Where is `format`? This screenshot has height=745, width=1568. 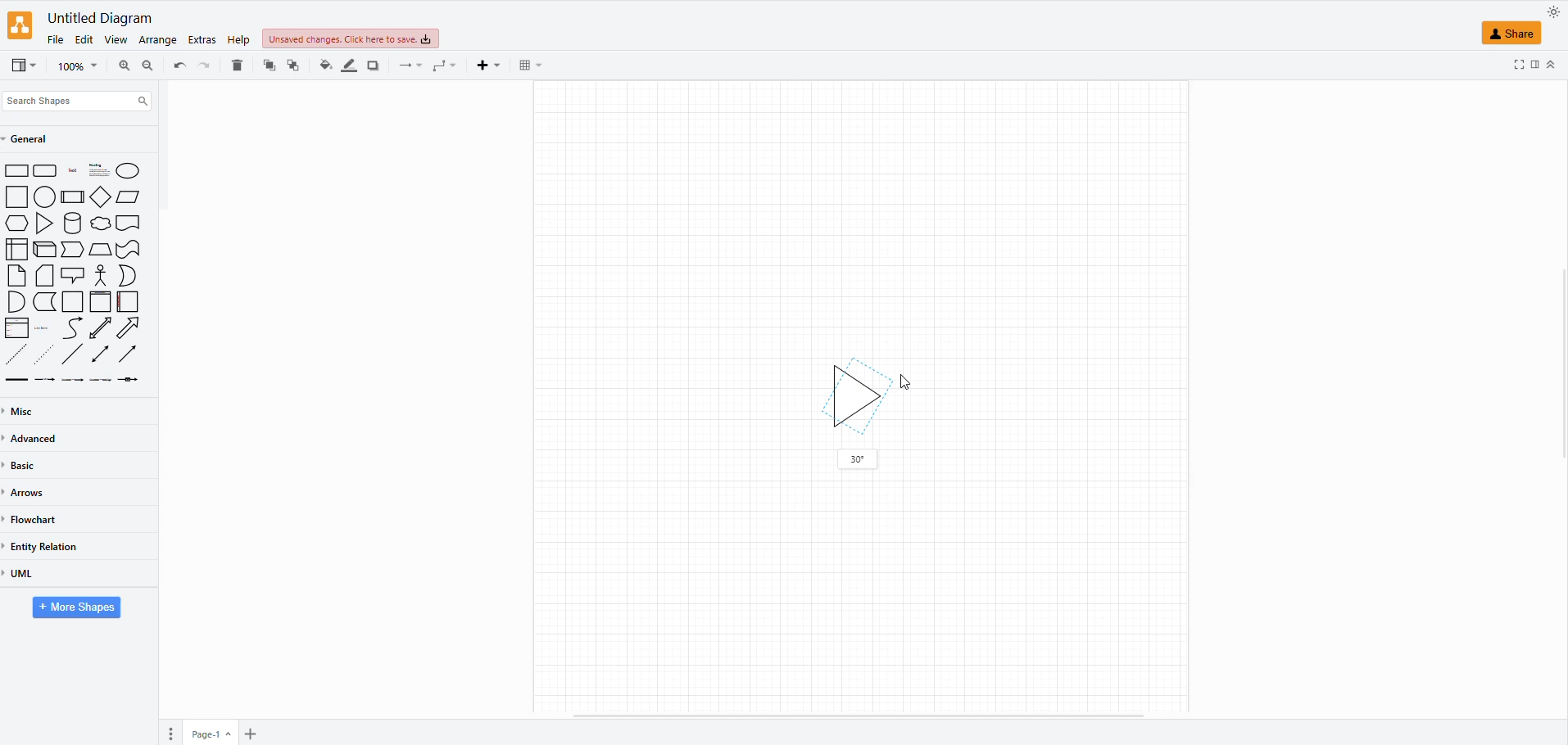 format is located at coordinates (1533, 66).